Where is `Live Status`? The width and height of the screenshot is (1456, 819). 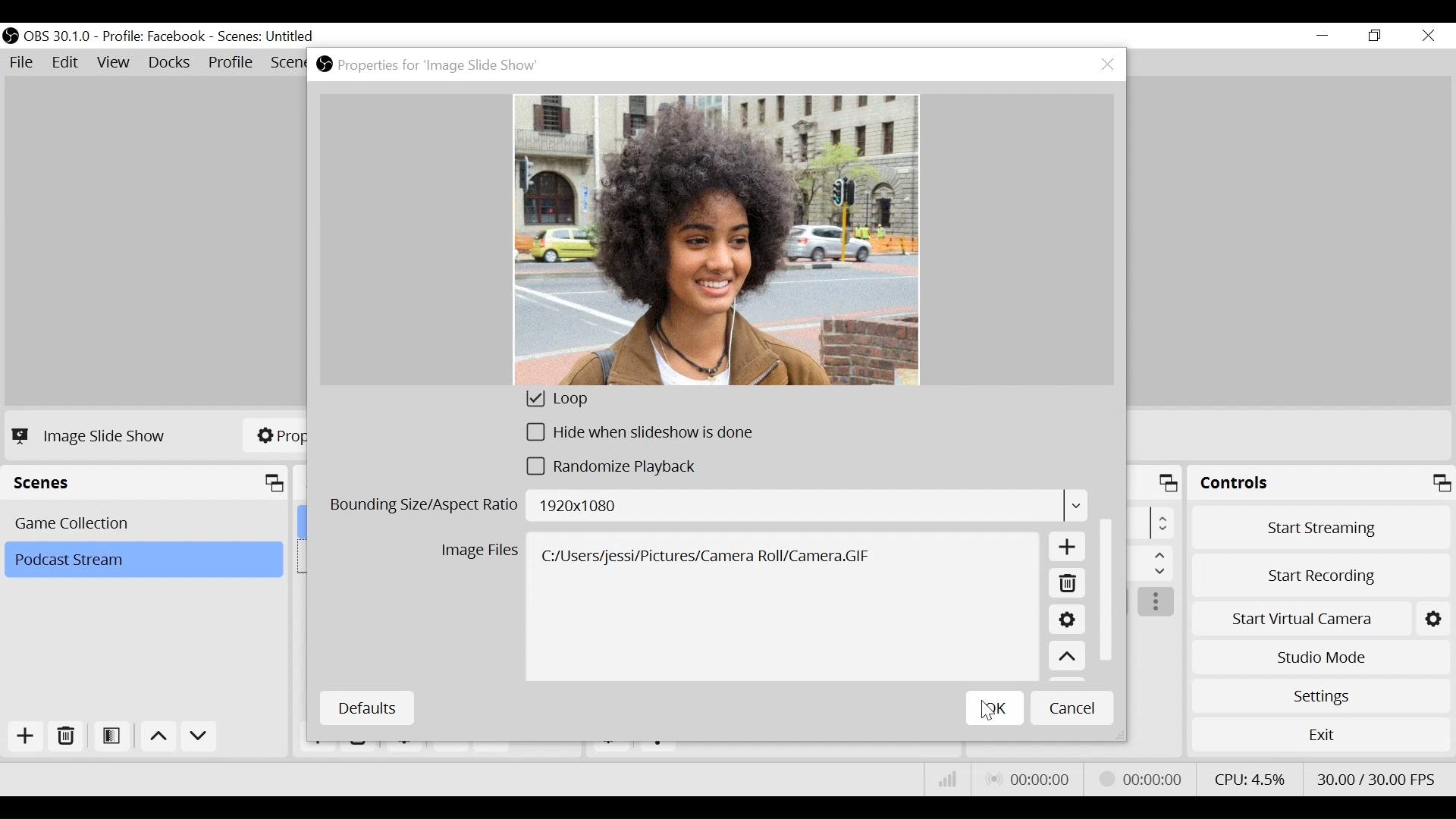 Live Status is located at coordinates (1027, 780).